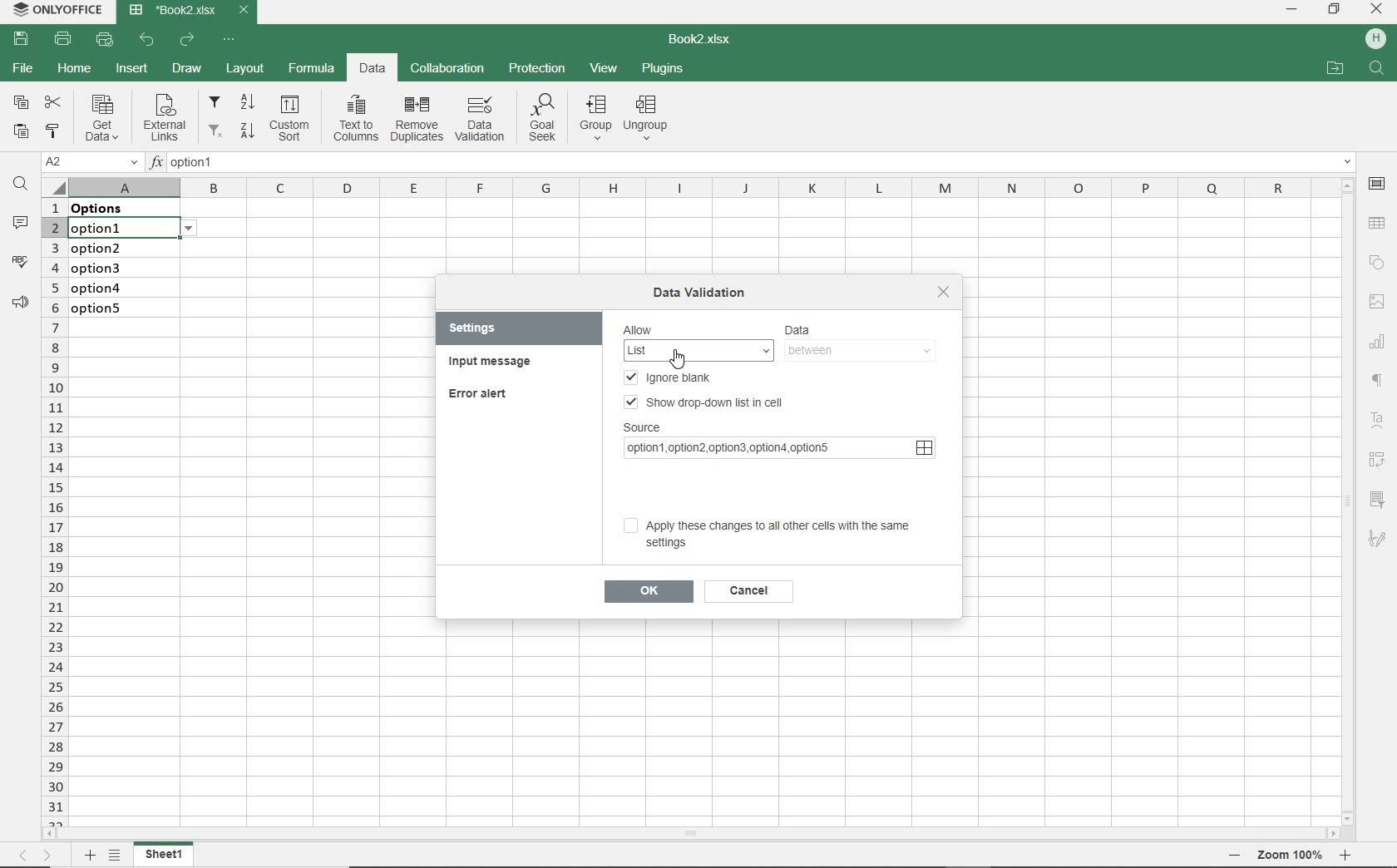 The height and width of the screenshot is (868, 1397). Describe the element at coordinates (52, 101) in the screenshot. I see `CUT` at that location.